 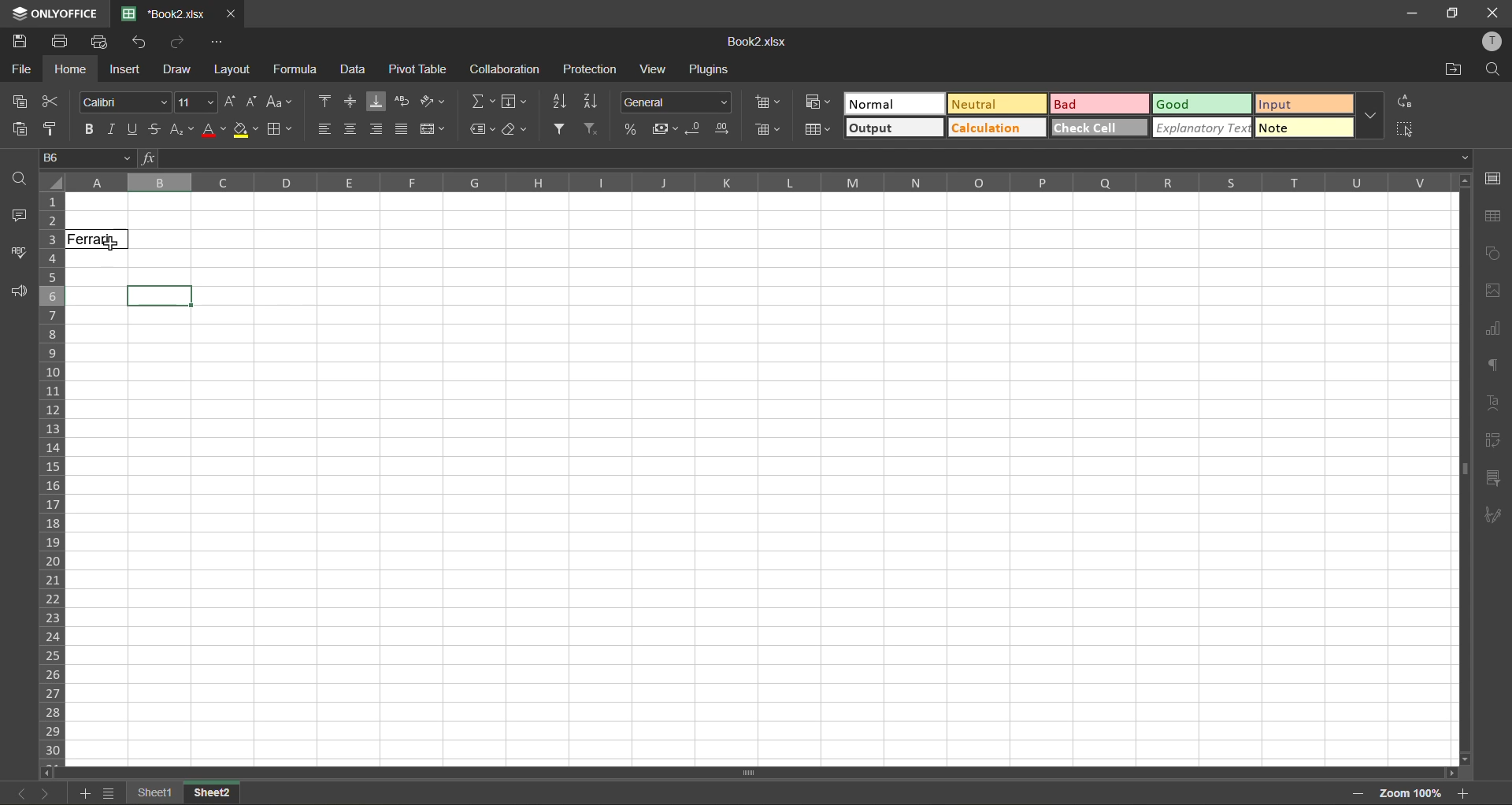 I want to click on borders, so click(x=280, y=131).